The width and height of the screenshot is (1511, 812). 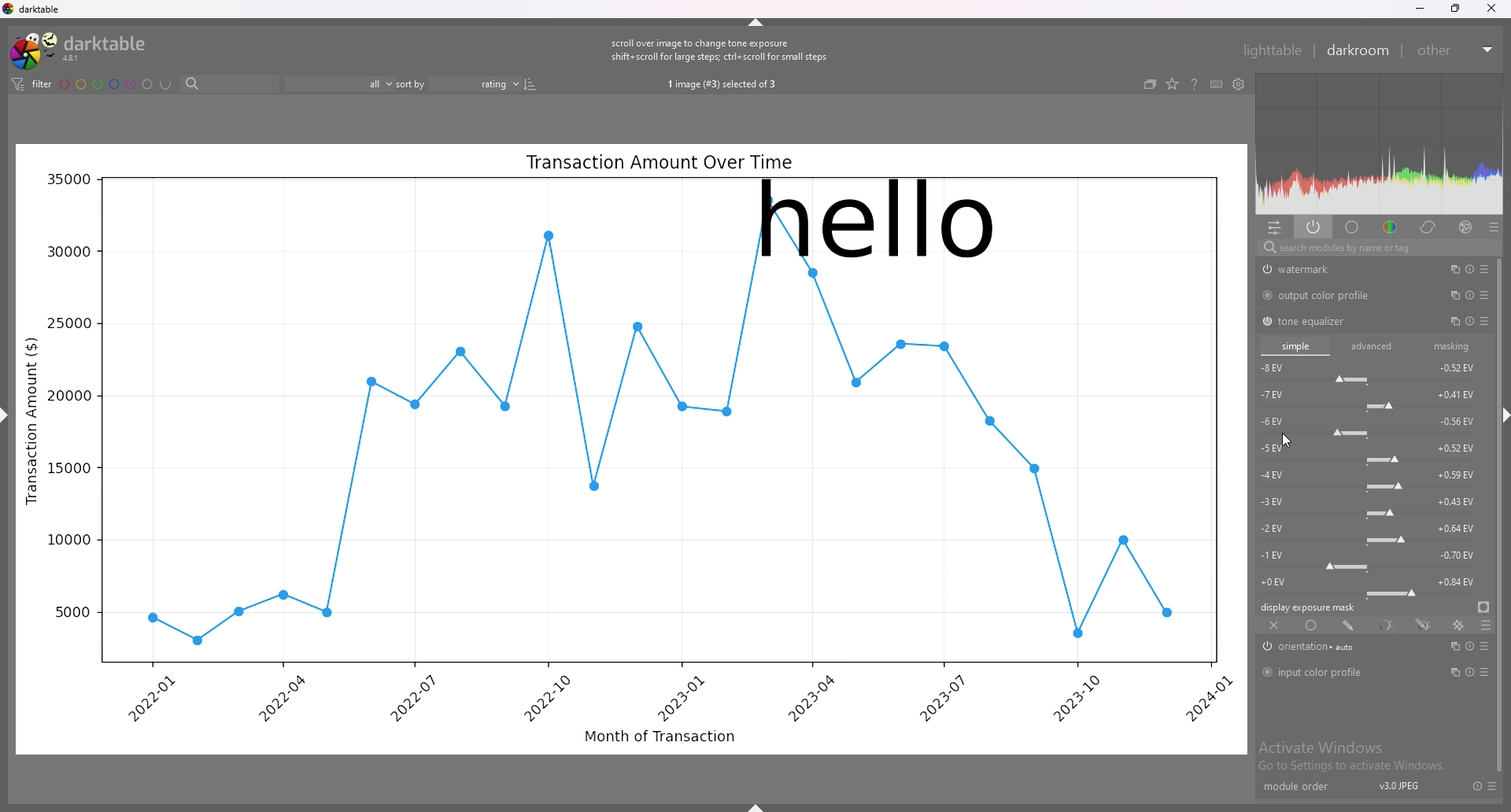 What do you see at coordinates (1448, 346) in the screenshot?
I see `masking` at bounding box center [1448, 346].